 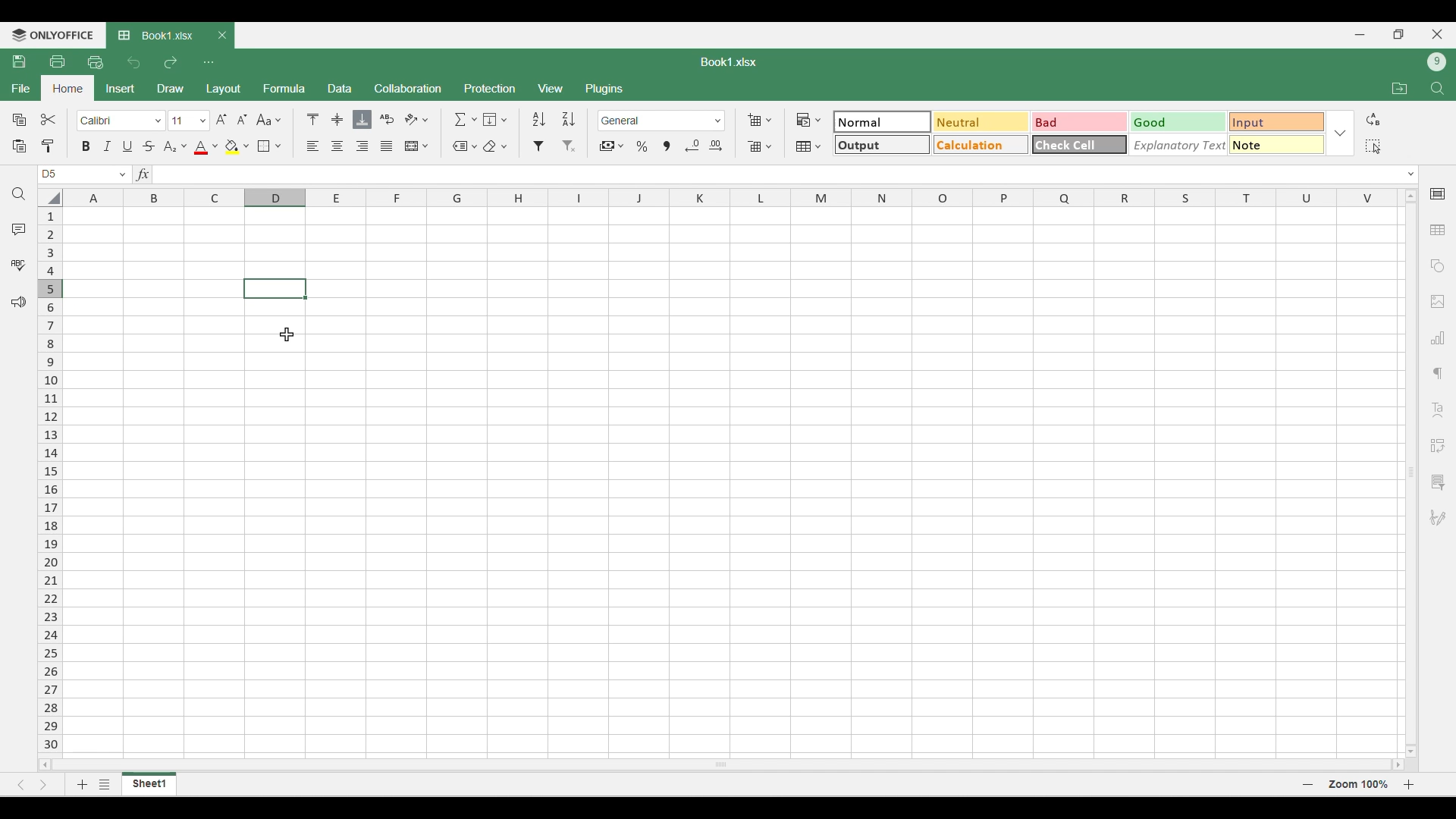 I want to click on Bold, so click(x=86, y=146).